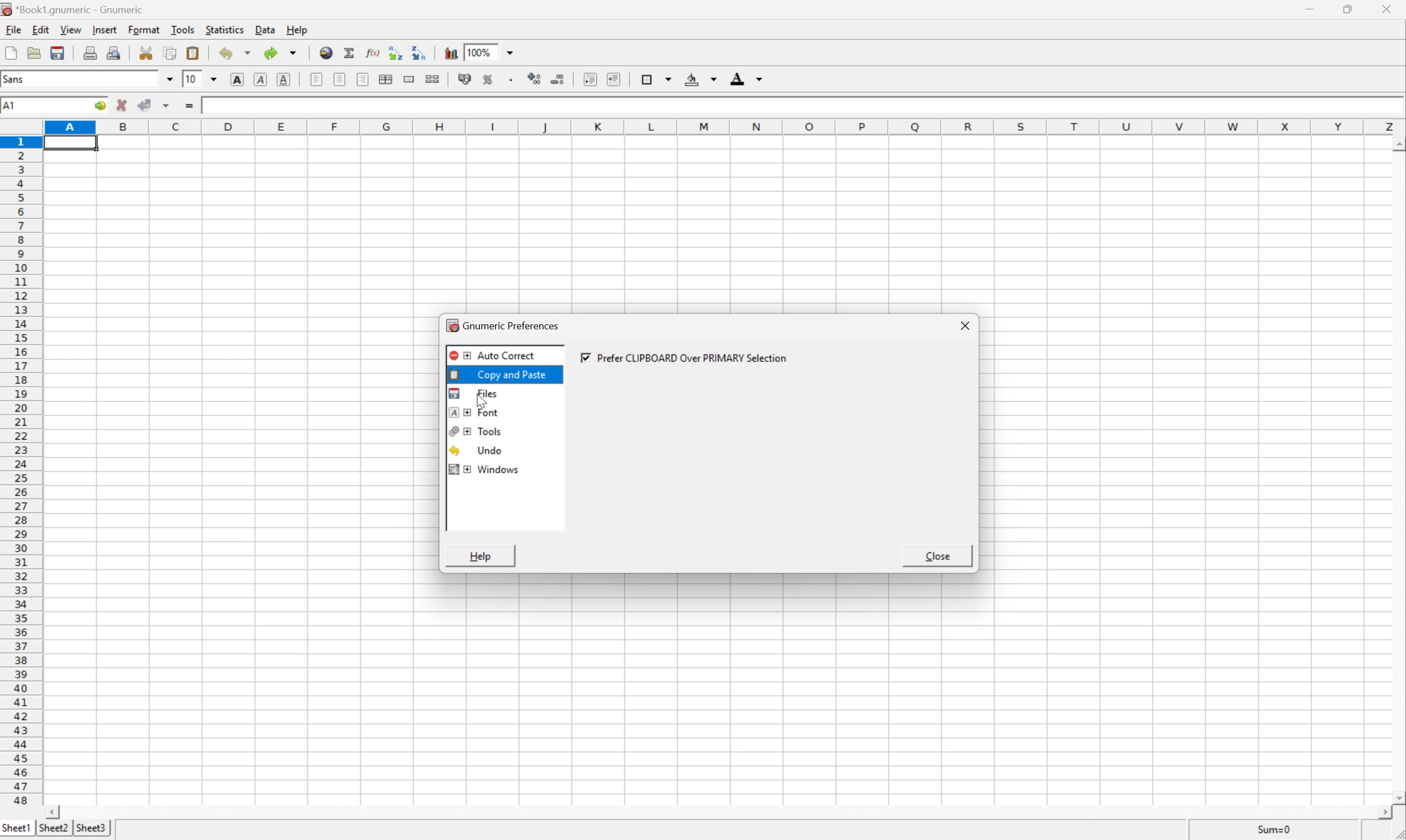  I want to click on Font name - sans, so click(88, 80).